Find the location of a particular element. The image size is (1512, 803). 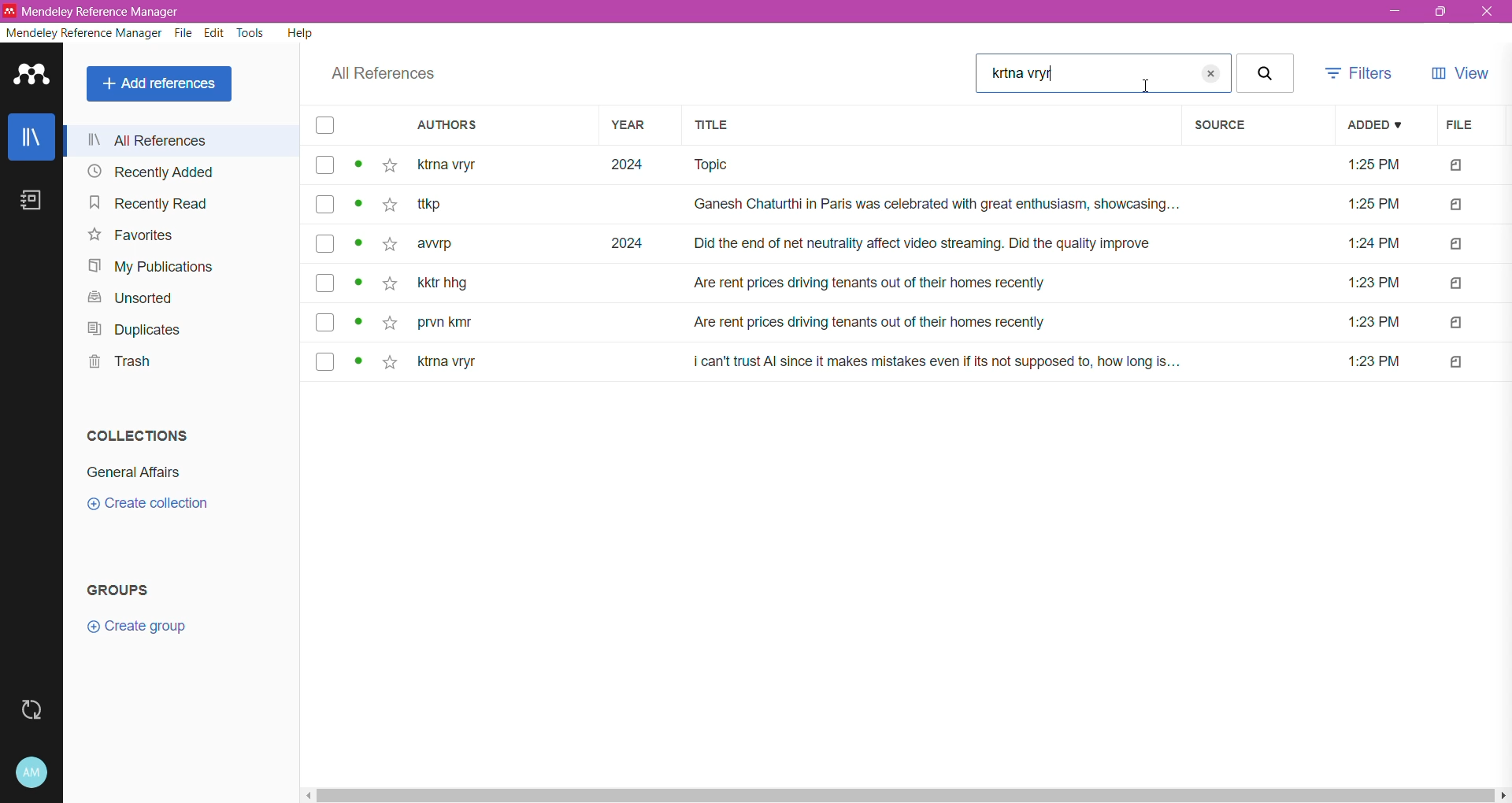

File is located at coordinates (184, 34).